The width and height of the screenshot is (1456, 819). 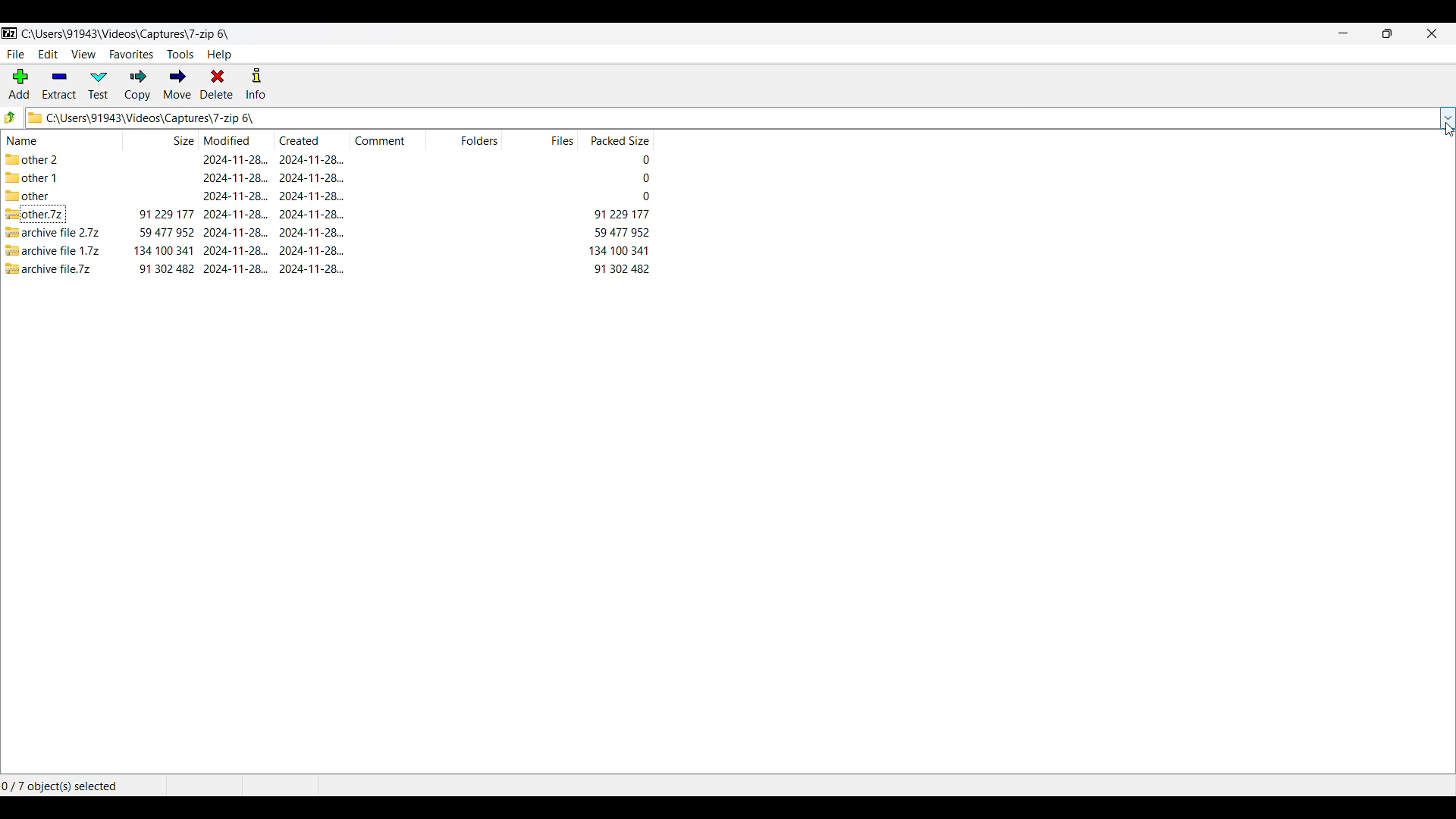 What do you see at coordinates (311, 177) in the screenshot?
I see `created date & time` at bounding box center [311, 177].